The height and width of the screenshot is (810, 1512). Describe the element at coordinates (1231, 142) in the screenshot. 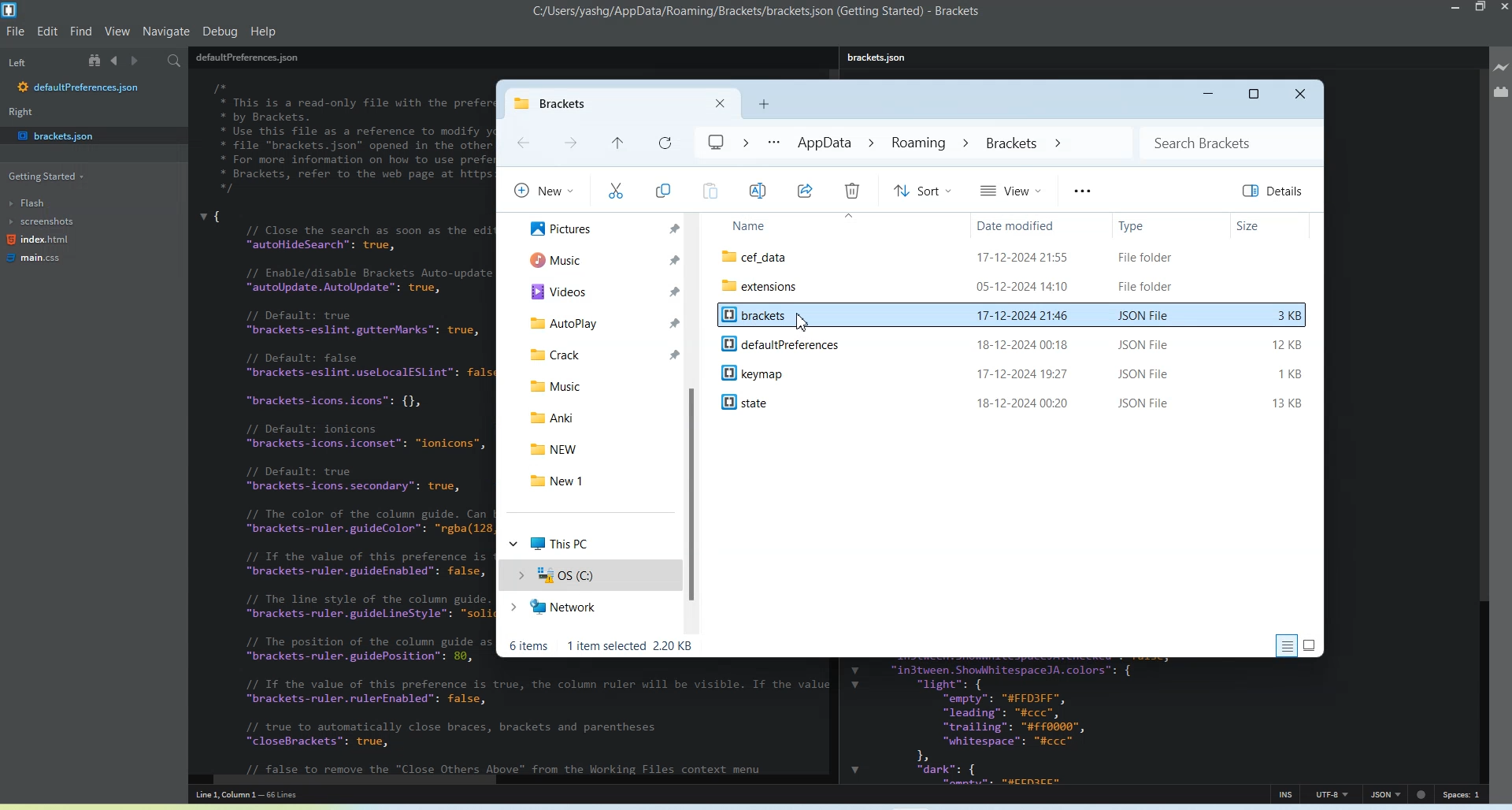

I see `Search Bar` at that location.